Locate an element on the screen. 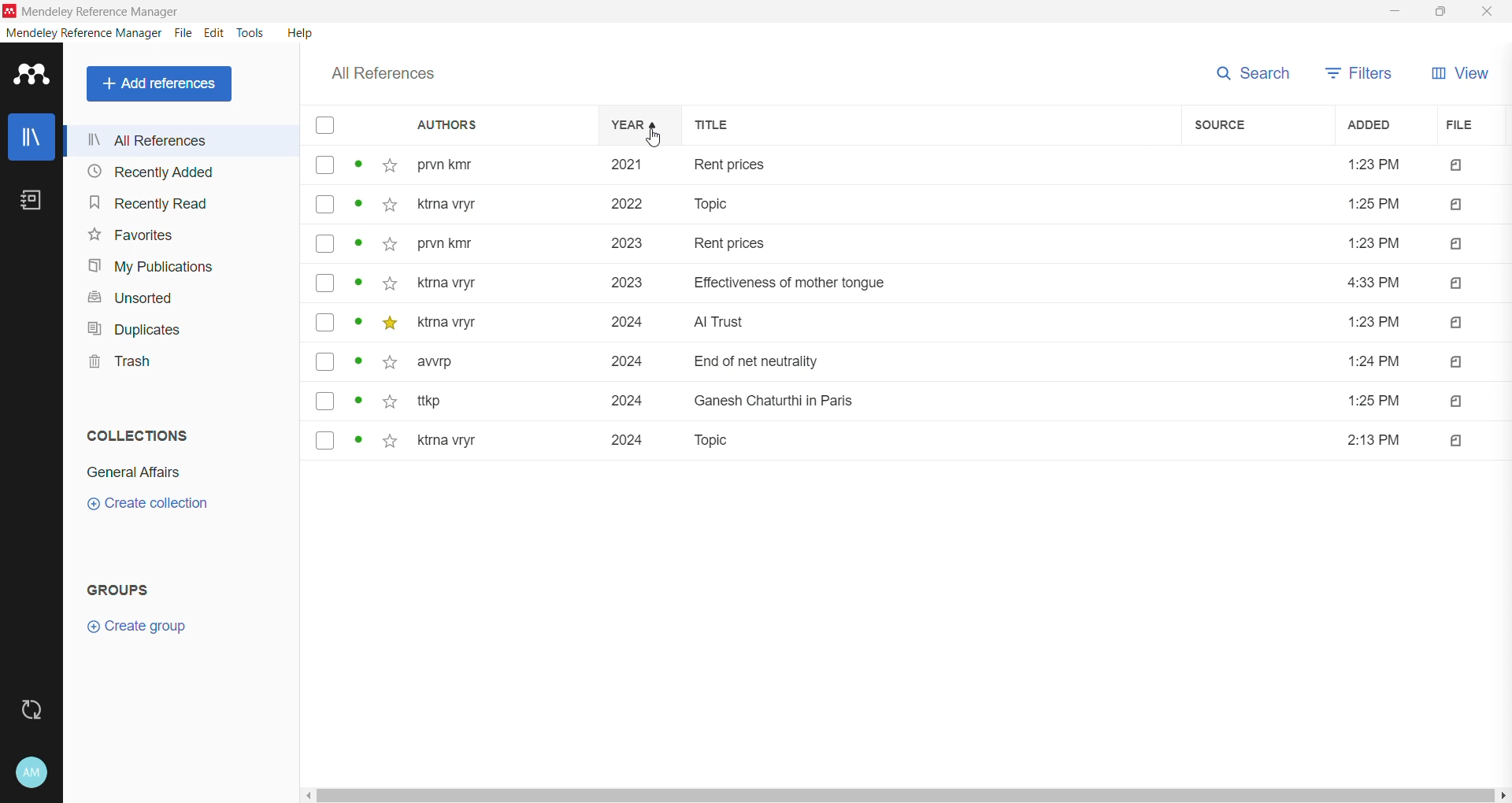 The width and height of the screenshot is (1512, 803). file type is located at coordinates (1458, 244).